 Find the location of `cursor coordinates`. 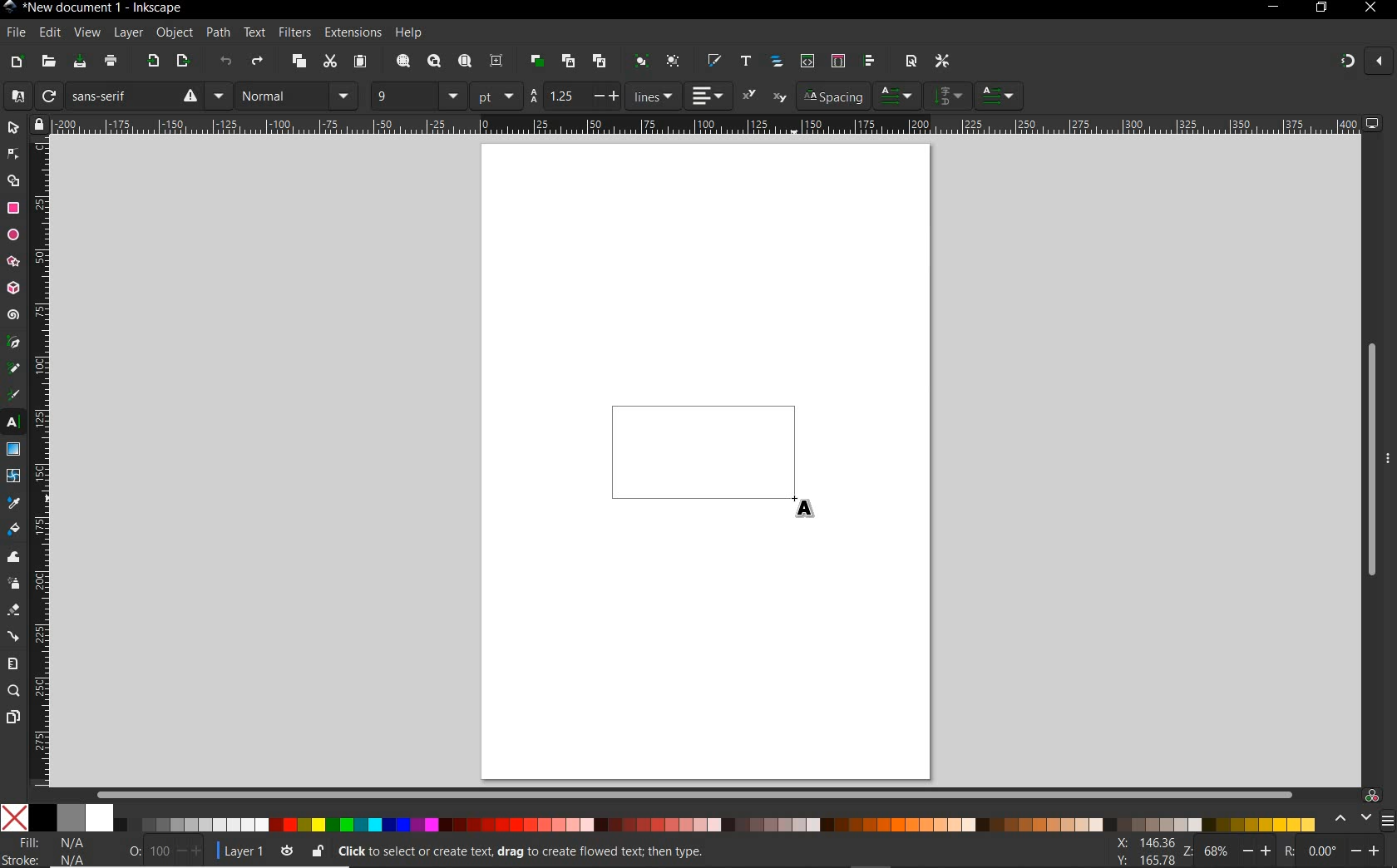

cursor coordinates is located at coordinates (1143, 851).